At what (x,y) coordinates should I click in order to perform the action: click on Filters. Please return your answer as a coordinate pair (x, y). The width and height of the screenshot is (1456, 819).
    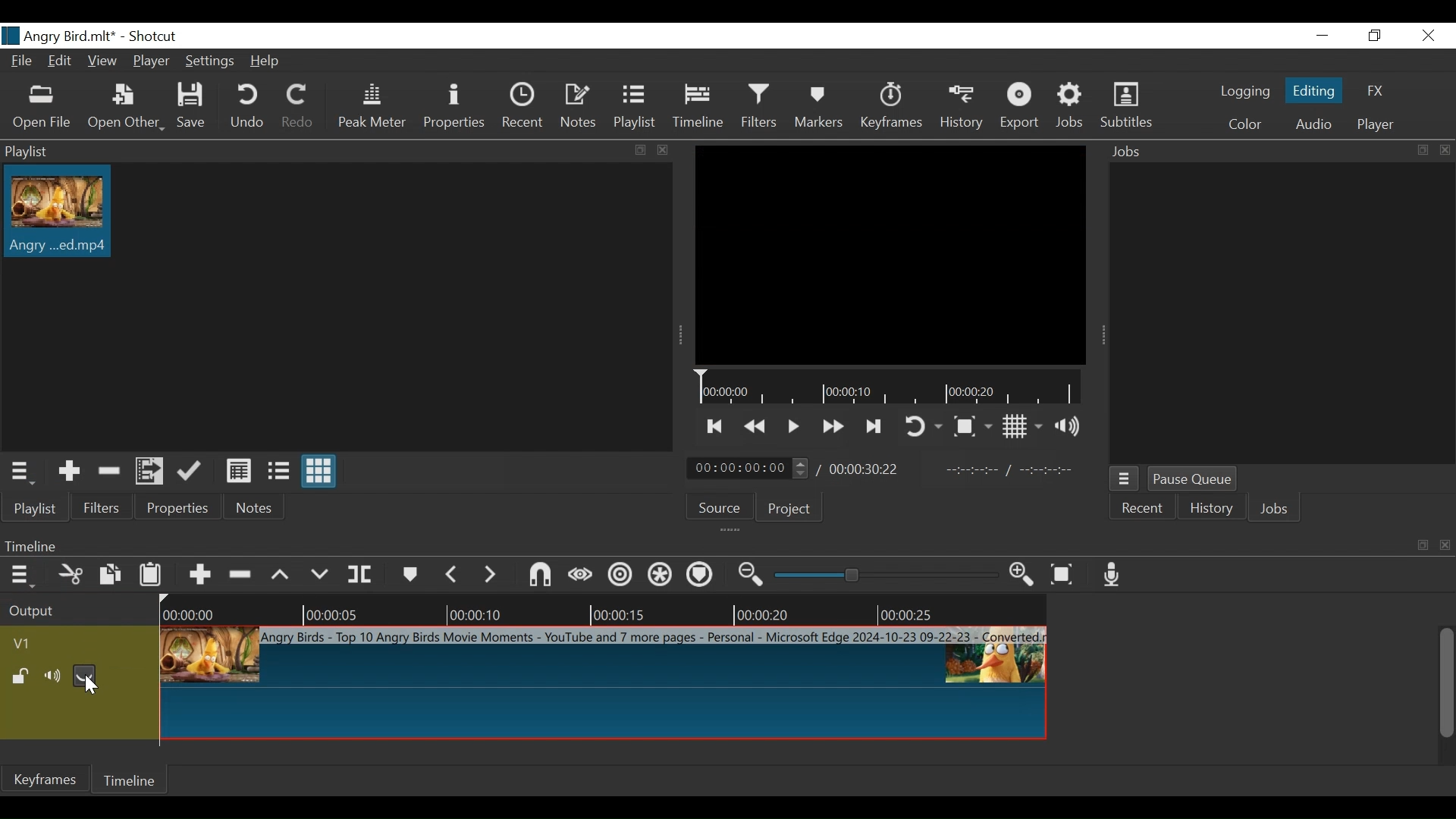
    Looking at the image, I should click on (759, 106).